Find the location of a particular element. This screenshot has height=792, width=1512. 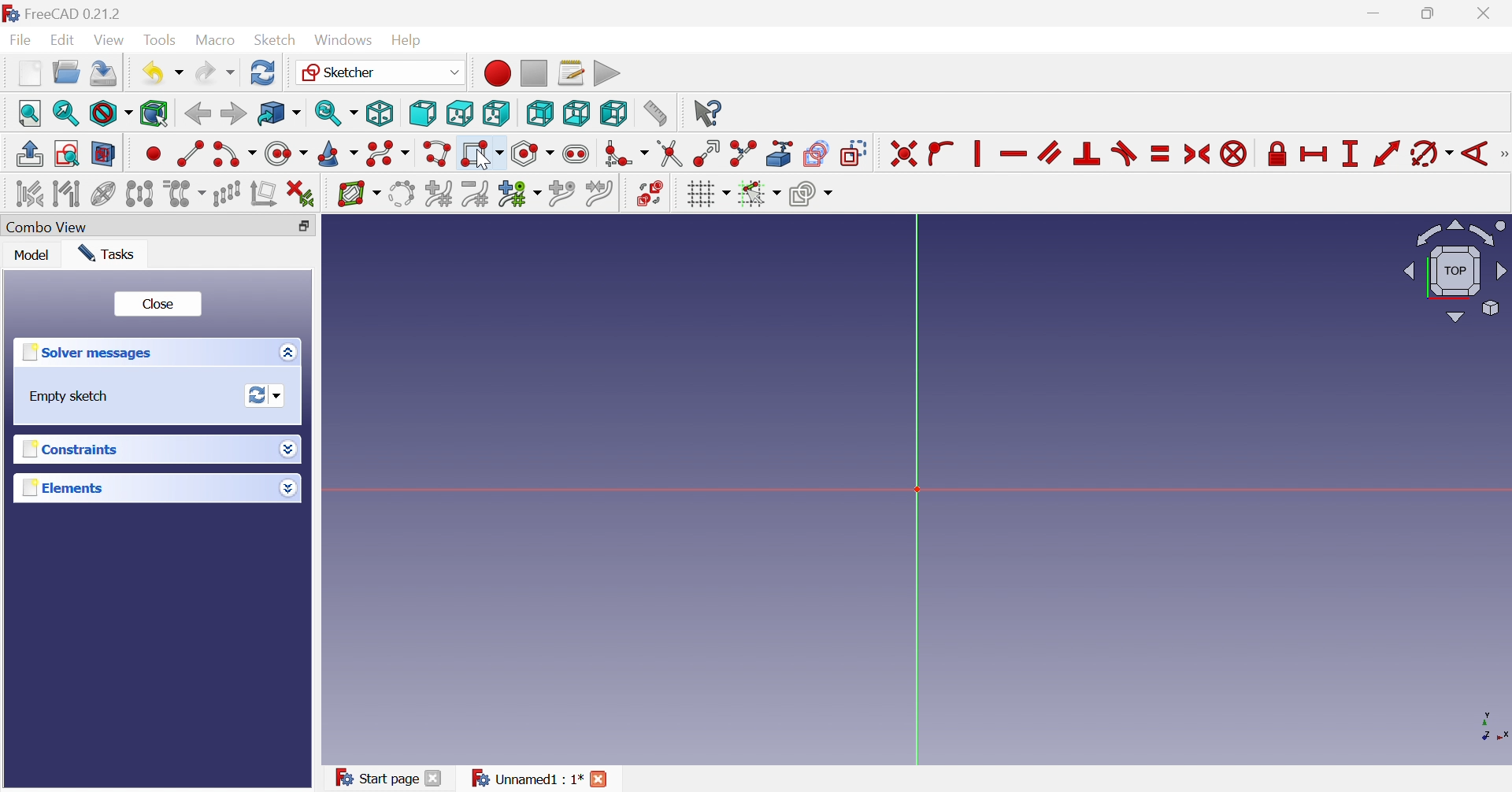

Modify knot multiplicity is located at coordinates (519, 195).